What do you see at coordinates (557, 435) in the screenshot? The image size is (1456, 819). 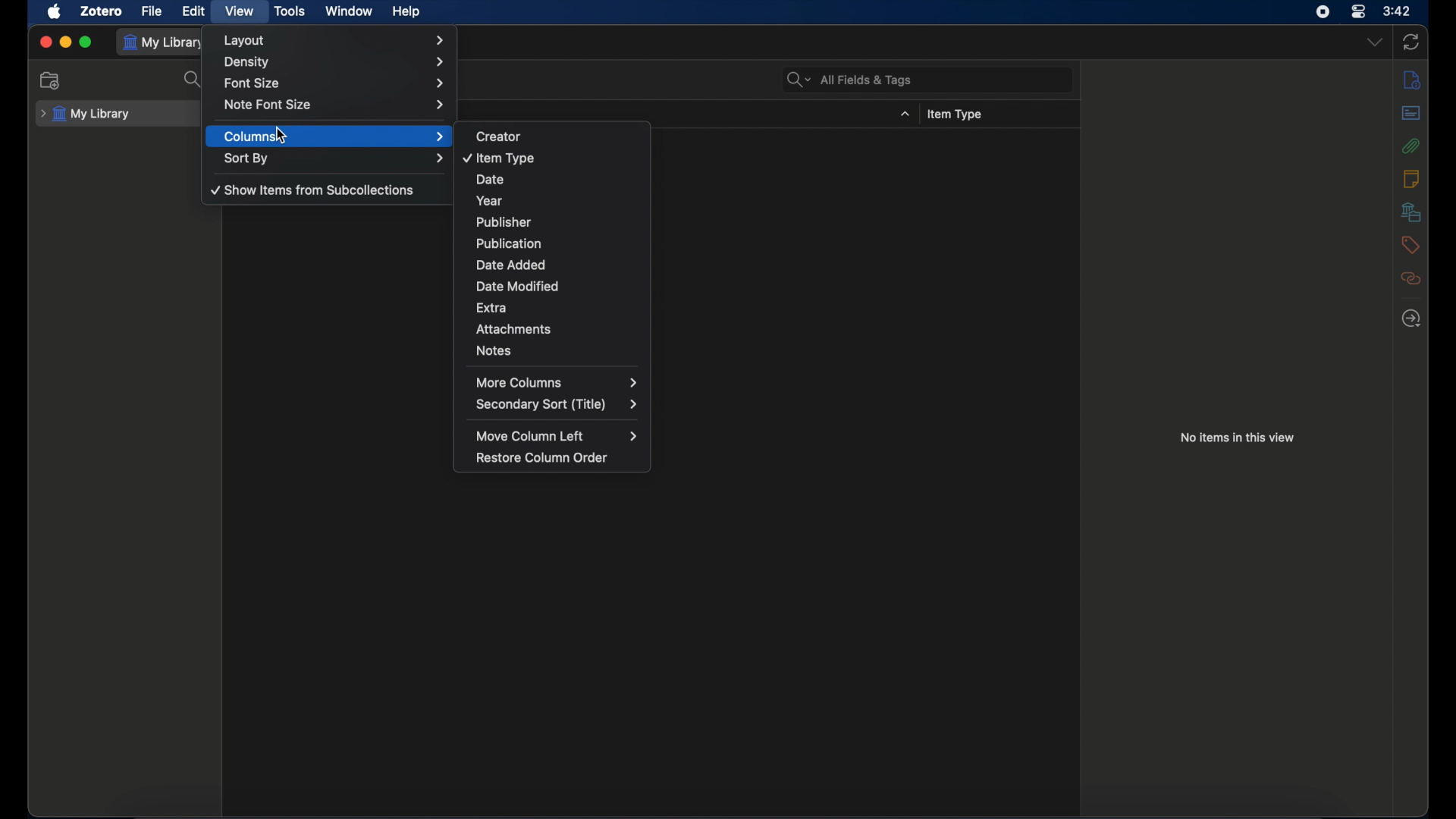 I see `move column left` at bounding box center [557, 435].